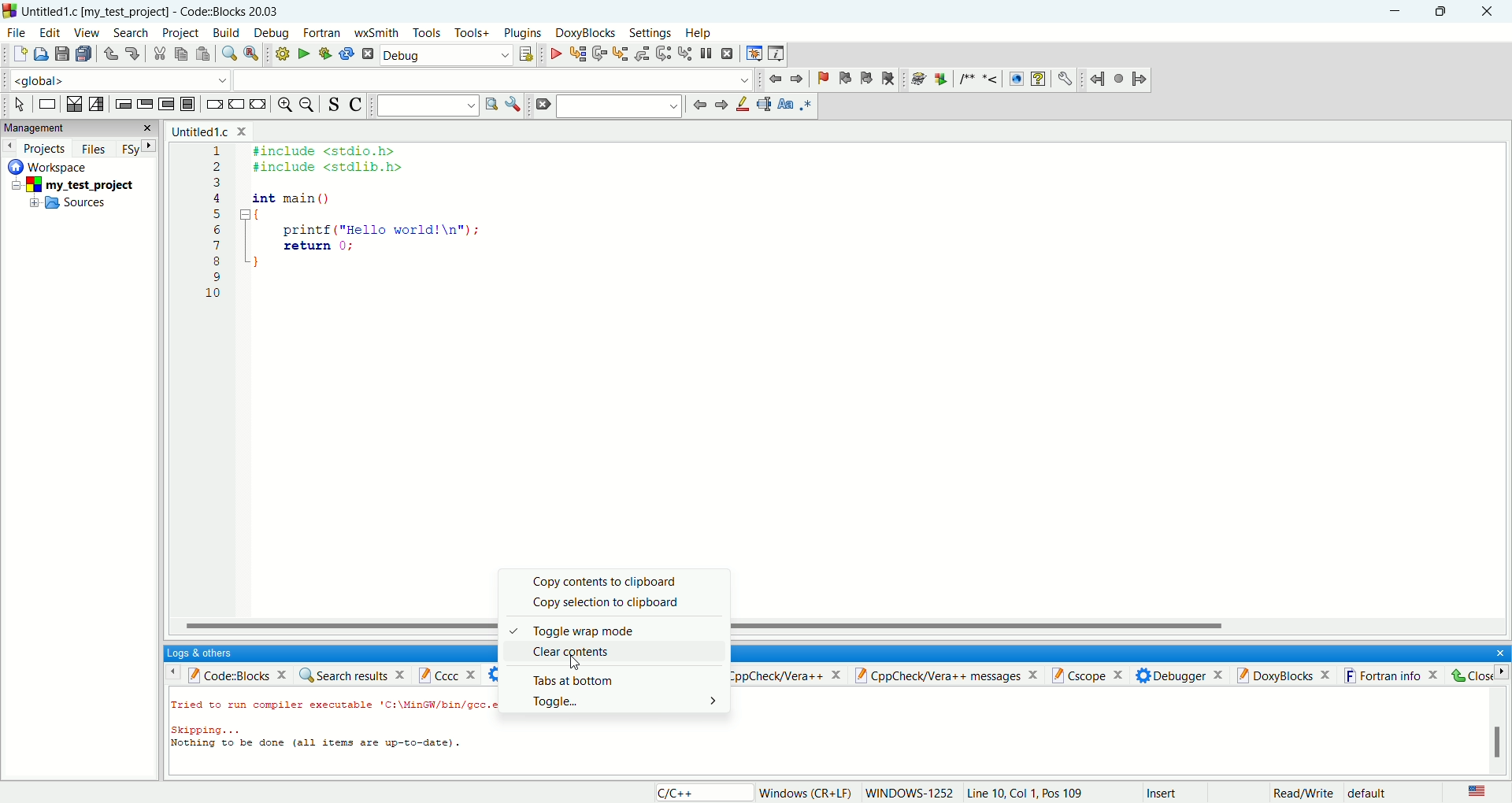 Image resolution: width=1512 pixels, height=803 pixels. Describe the element at coordinates (20, 105) in the screenshot. I see `select` at that location.